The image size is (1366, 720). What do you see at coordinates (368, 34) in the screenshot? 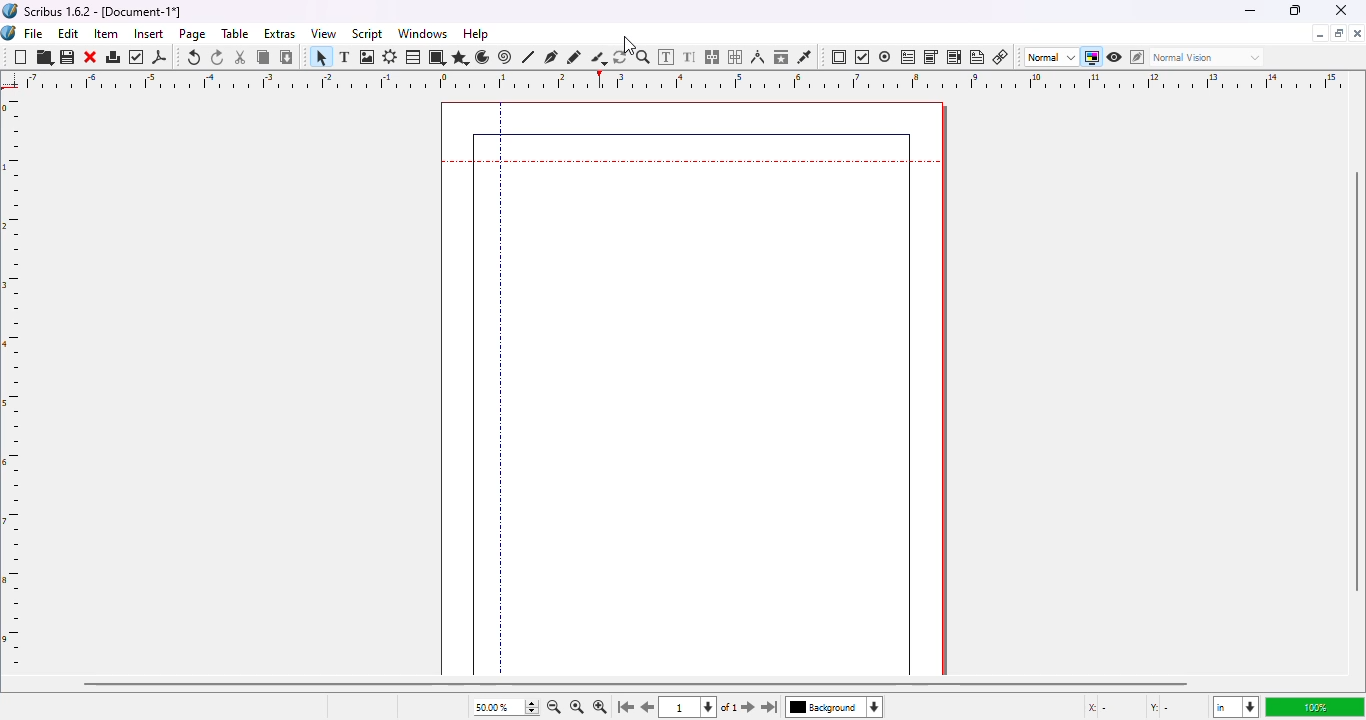
I see `script` at bounding box center [368, 34].